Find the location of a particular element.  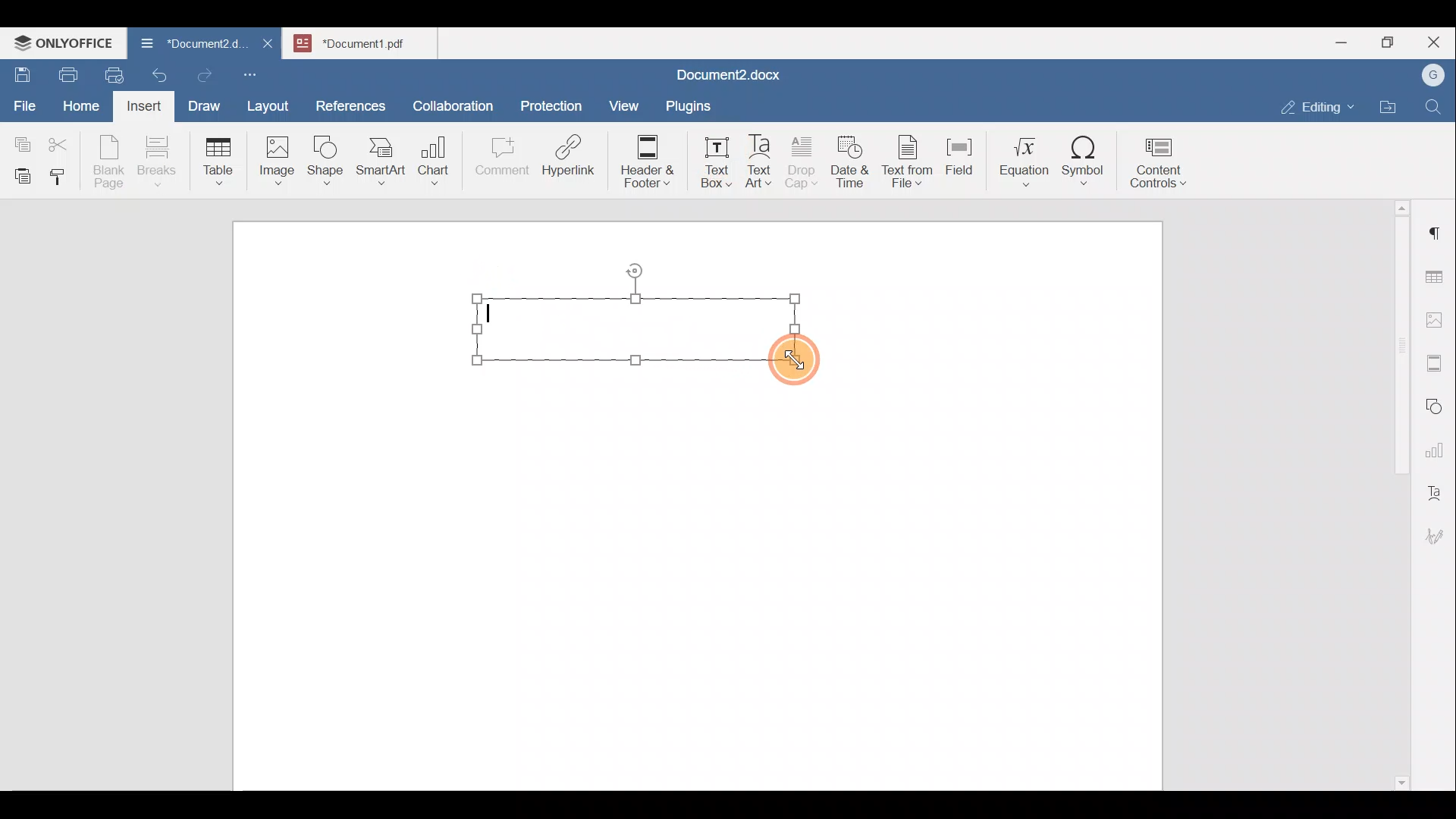

Undo is located at coordinates (156, 73).